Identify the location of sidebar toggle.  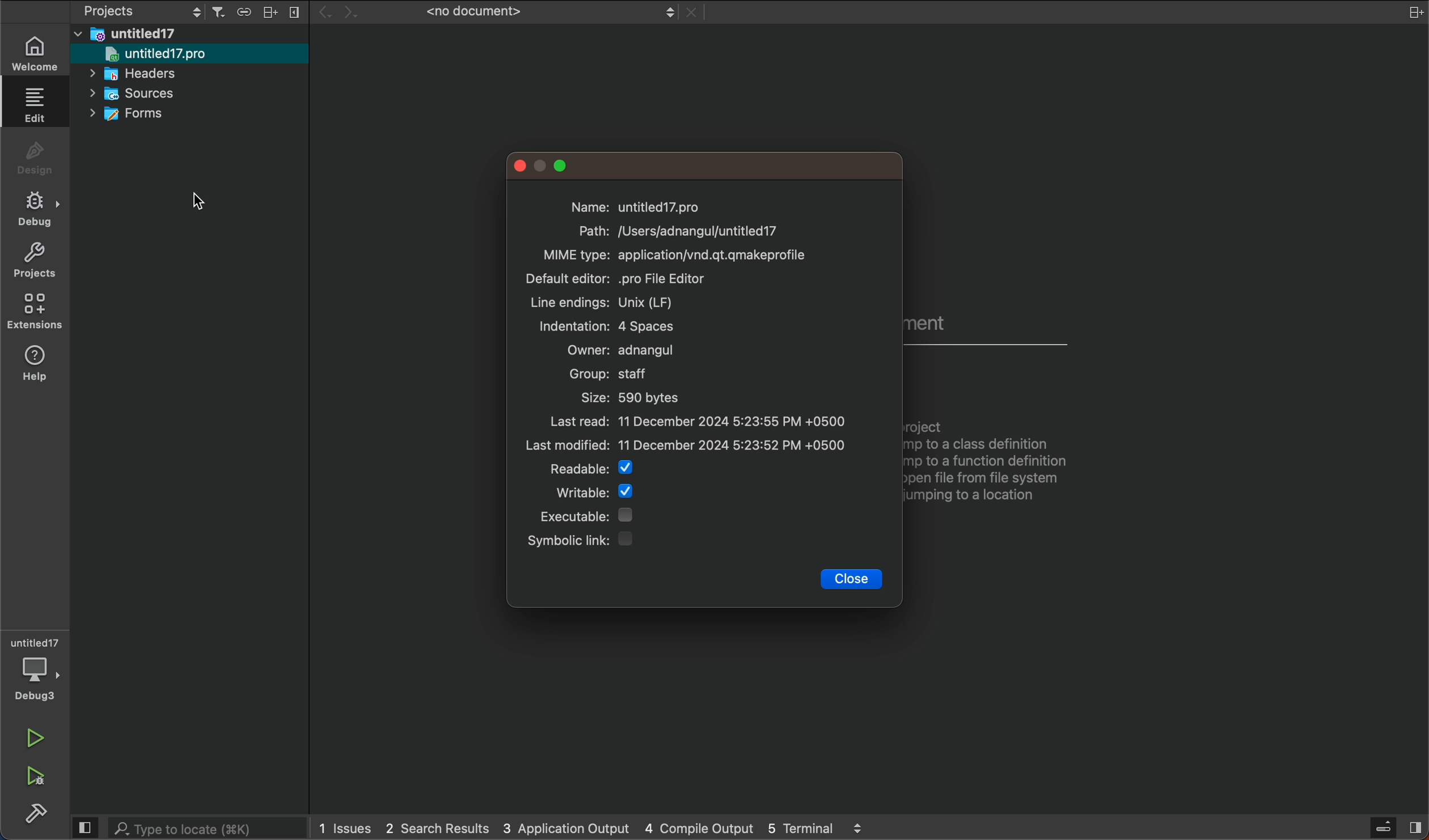
(1395, 829).